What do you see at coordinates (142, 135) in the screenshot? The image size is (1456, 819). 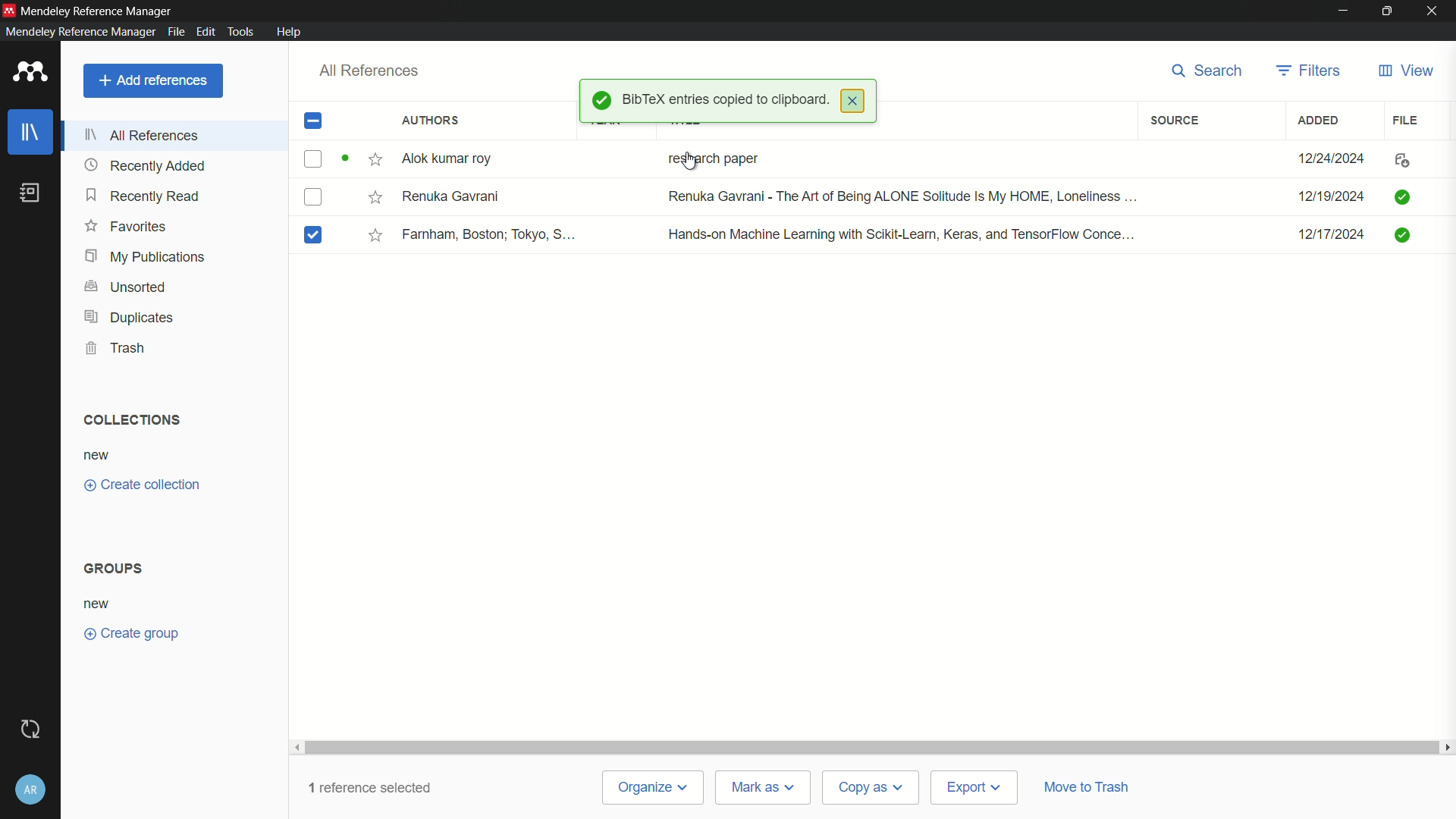 I see `all references` at bounding box center [142, 135].